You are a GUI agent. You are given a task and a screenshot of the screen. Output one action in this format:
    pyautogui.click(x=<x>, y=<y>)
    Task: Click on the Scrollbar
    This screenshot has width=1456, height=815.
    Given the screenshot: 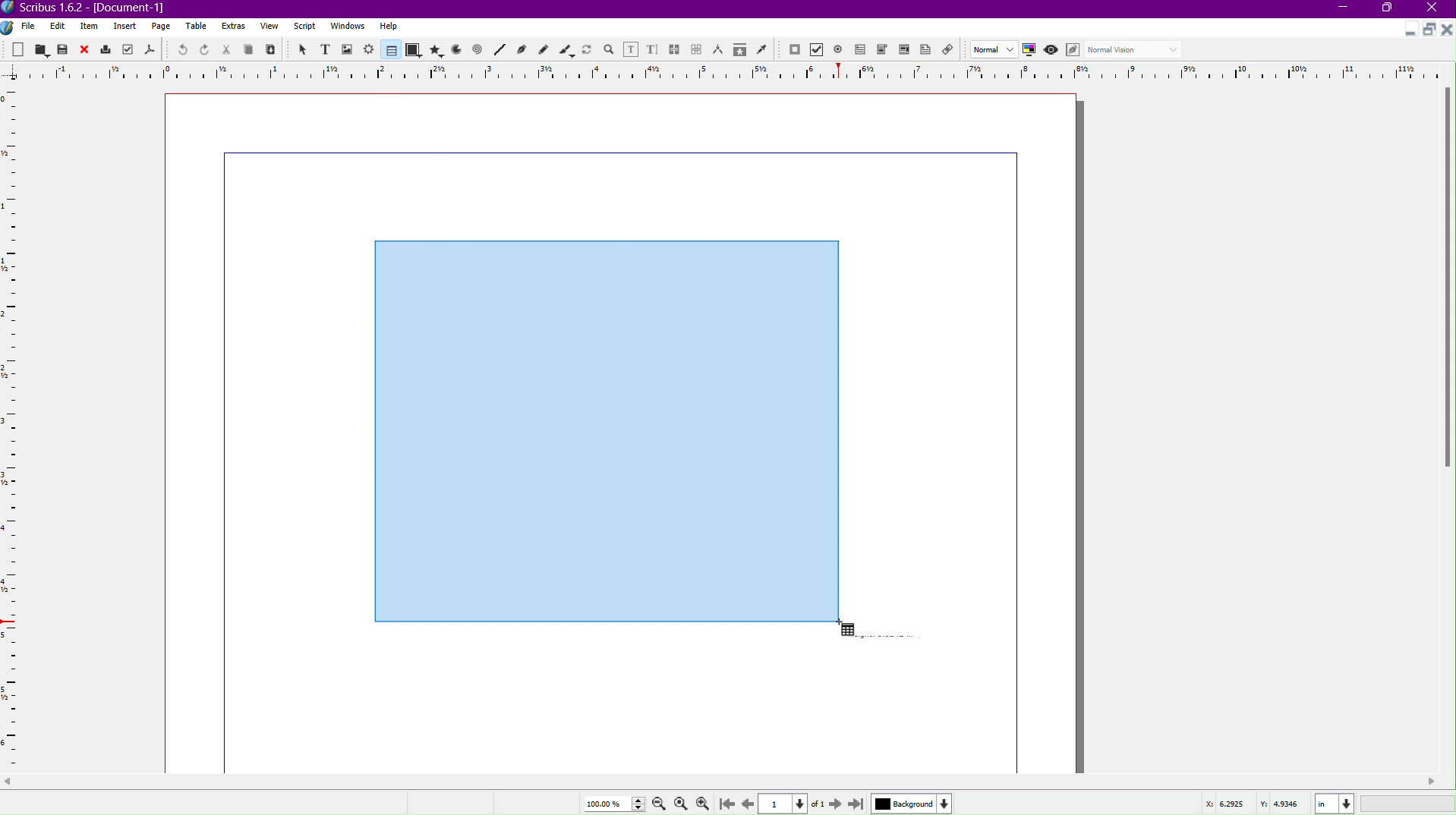 What is the action you would take?
    pyautogui.click(x=728, y=782)
    